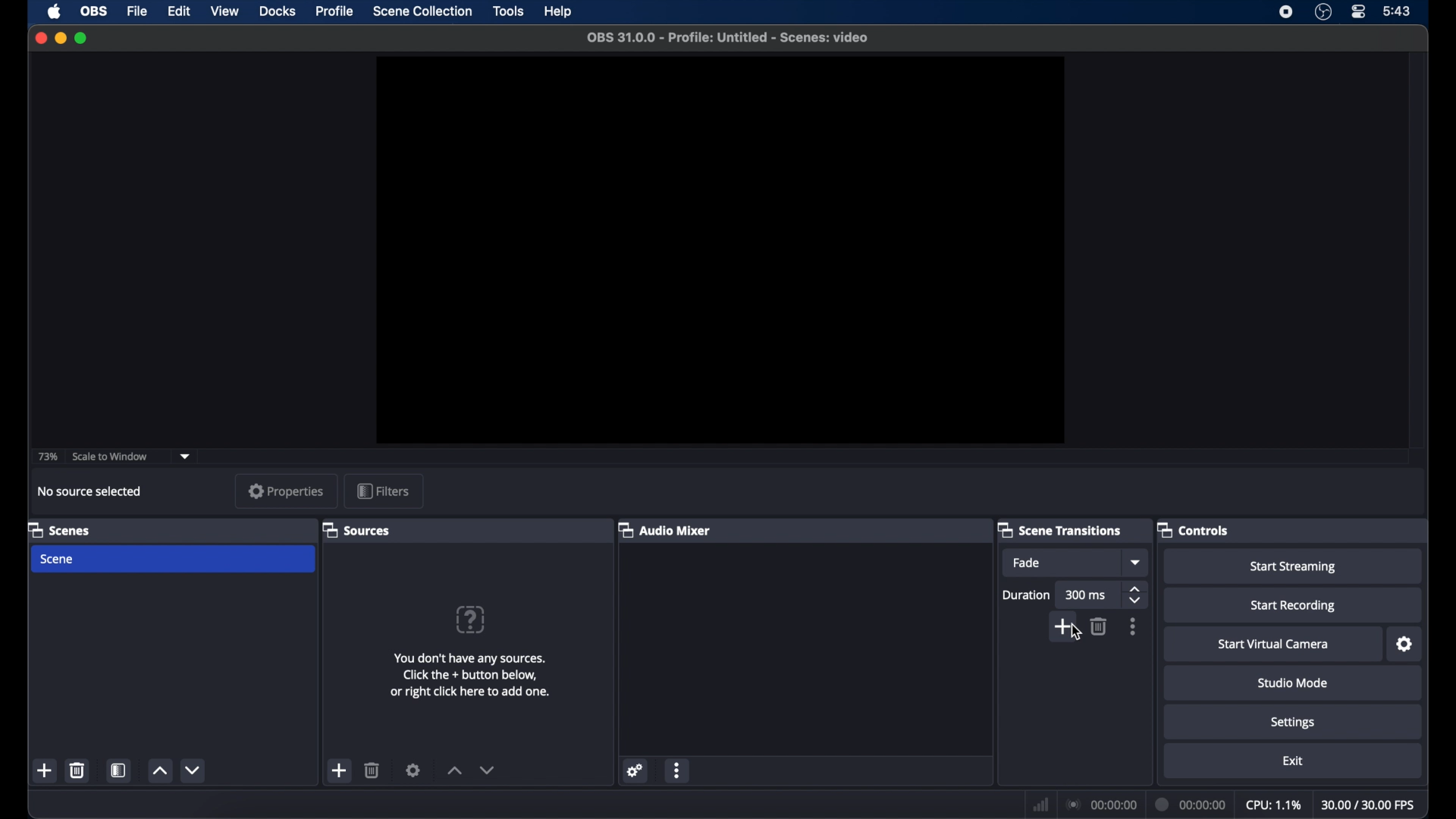 The image size is (1456, 819). Describe the element at coordinates (47, 457) in the screenshot. I see `73%` at that location.